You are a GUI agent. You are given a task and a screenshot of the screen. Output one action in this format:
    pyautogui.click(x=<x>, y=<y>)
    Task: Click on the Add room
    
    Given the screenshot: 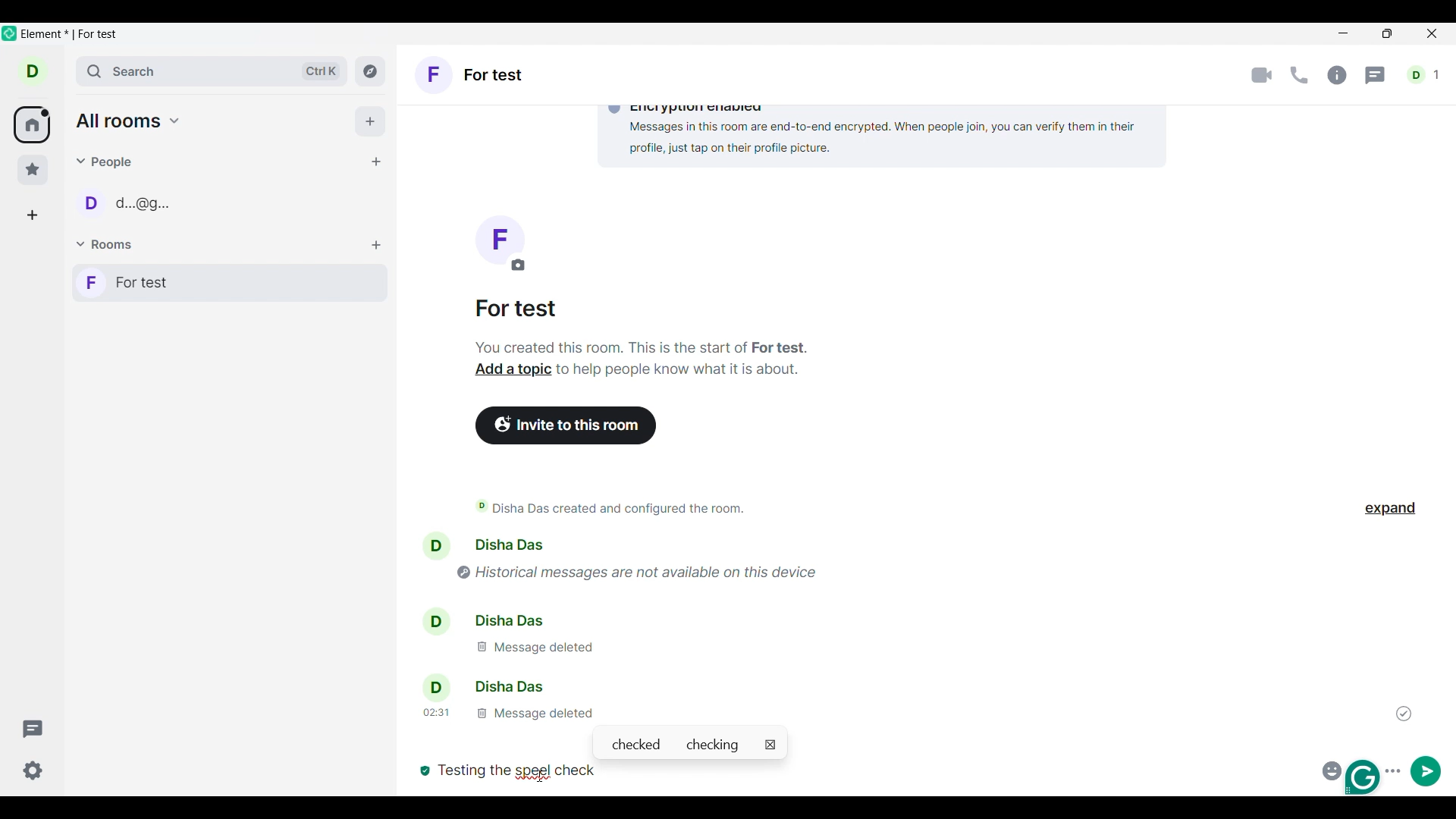 What is the action you would take?
    pyautogui.click(x=376, y=246)
    